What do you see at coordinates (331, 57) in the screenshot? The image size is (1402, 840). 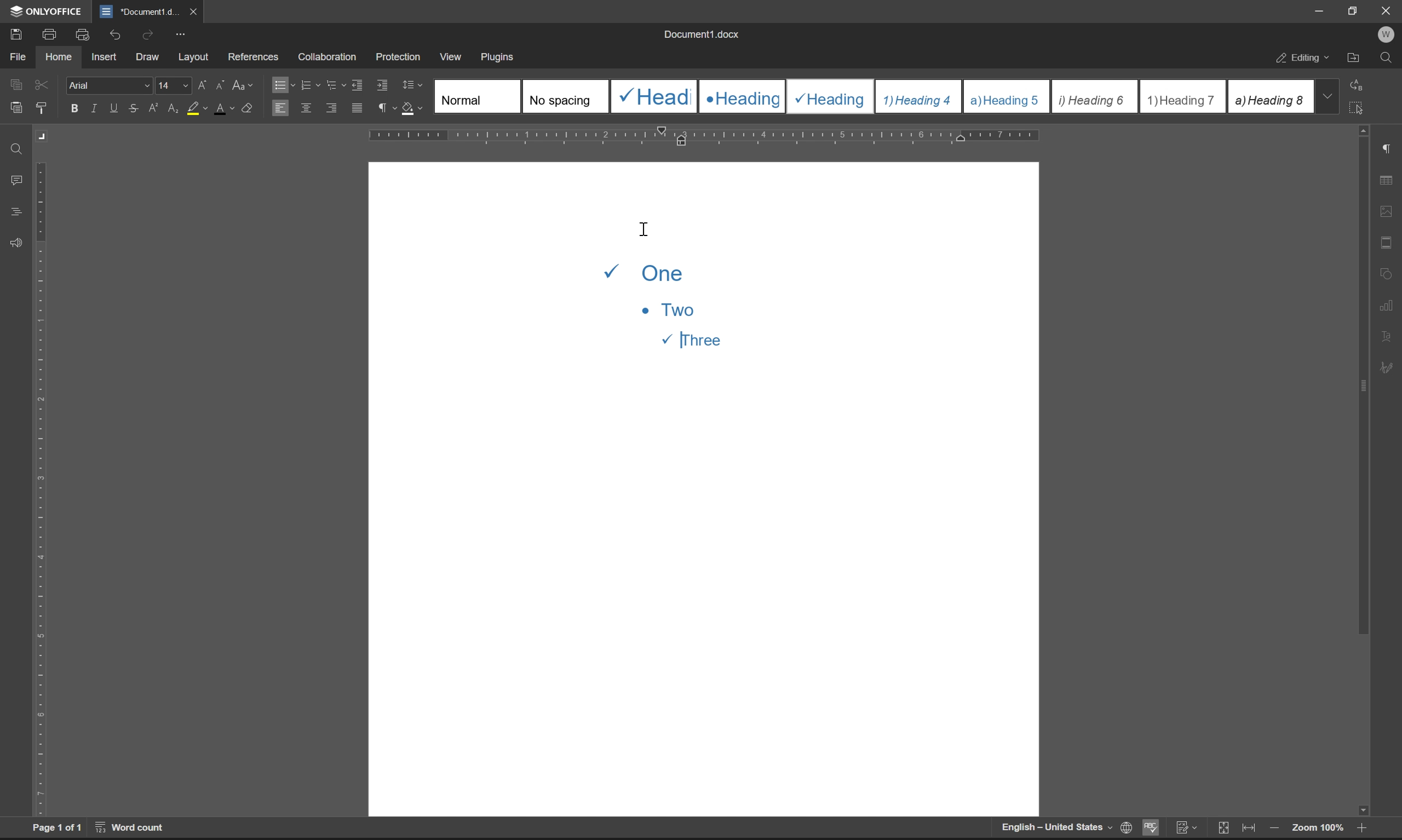 I see `collaboration` at bounding box center [331, 57].